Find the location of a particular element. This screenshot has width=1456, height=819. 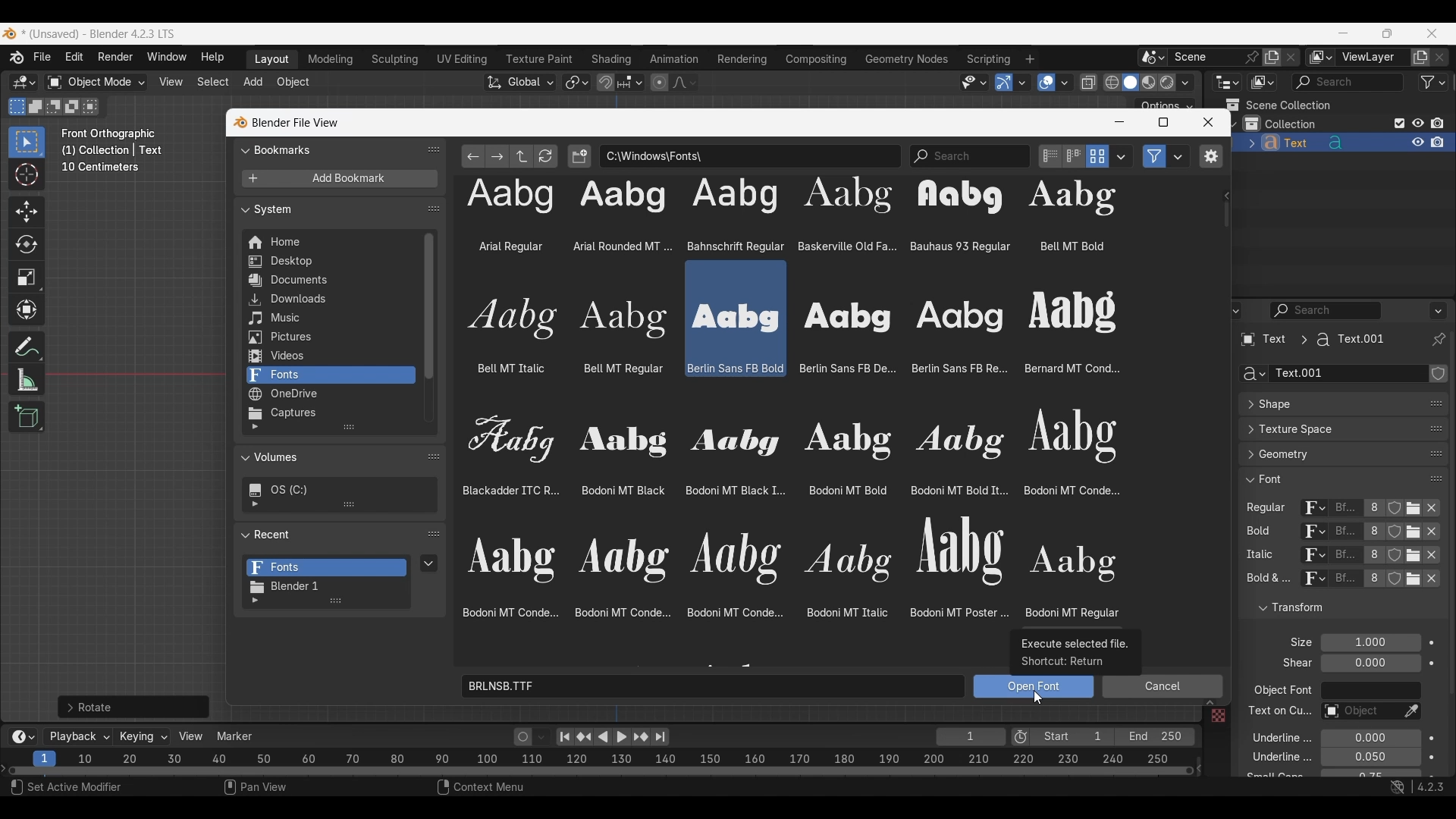

Desktop folder is located at coordinates (329, 262).